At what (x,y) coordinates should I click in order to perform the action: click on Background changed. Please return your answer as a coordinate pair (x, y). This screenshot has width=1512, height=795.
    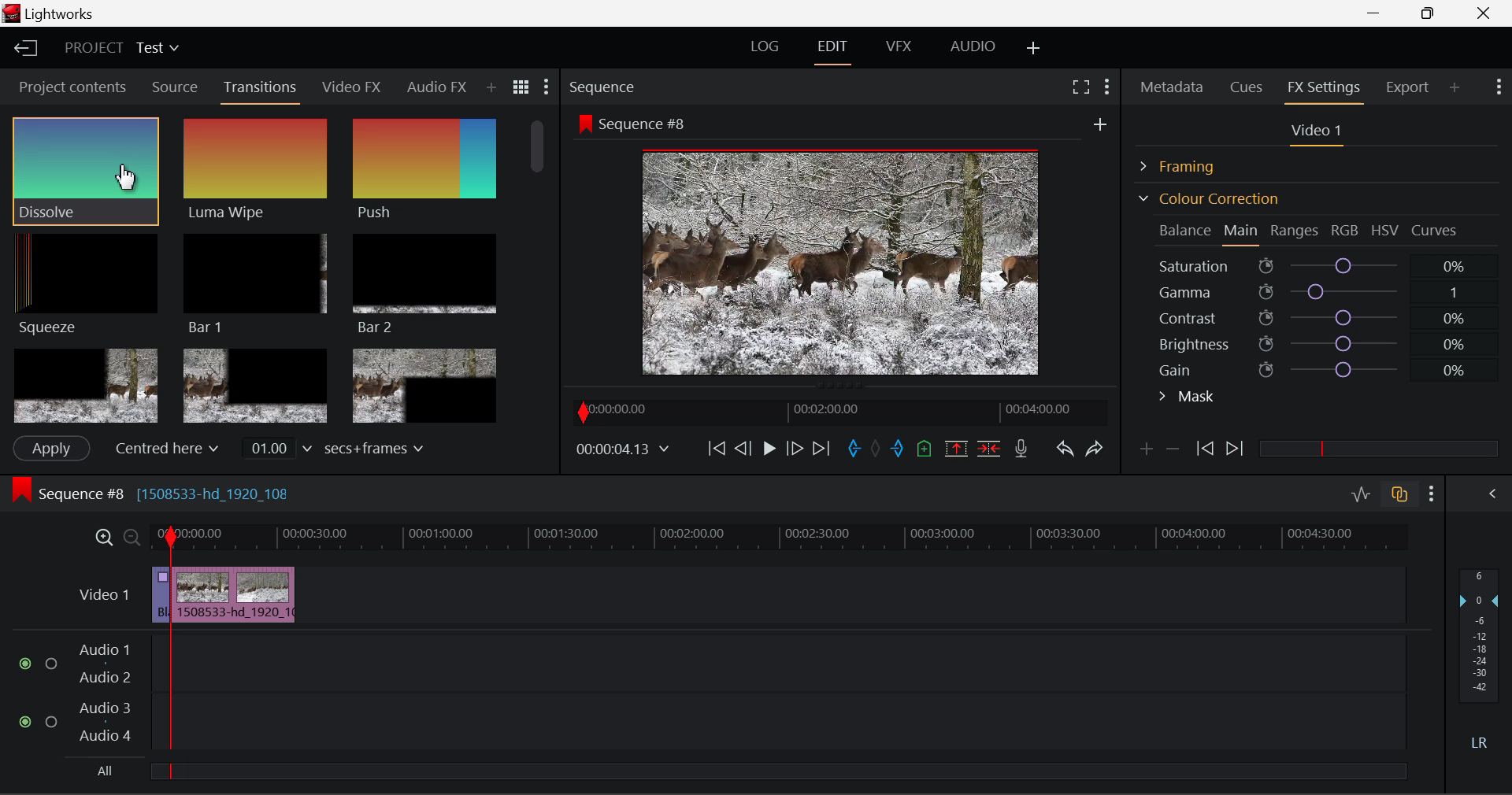
    Looking at the image, I should click on (845, 248).